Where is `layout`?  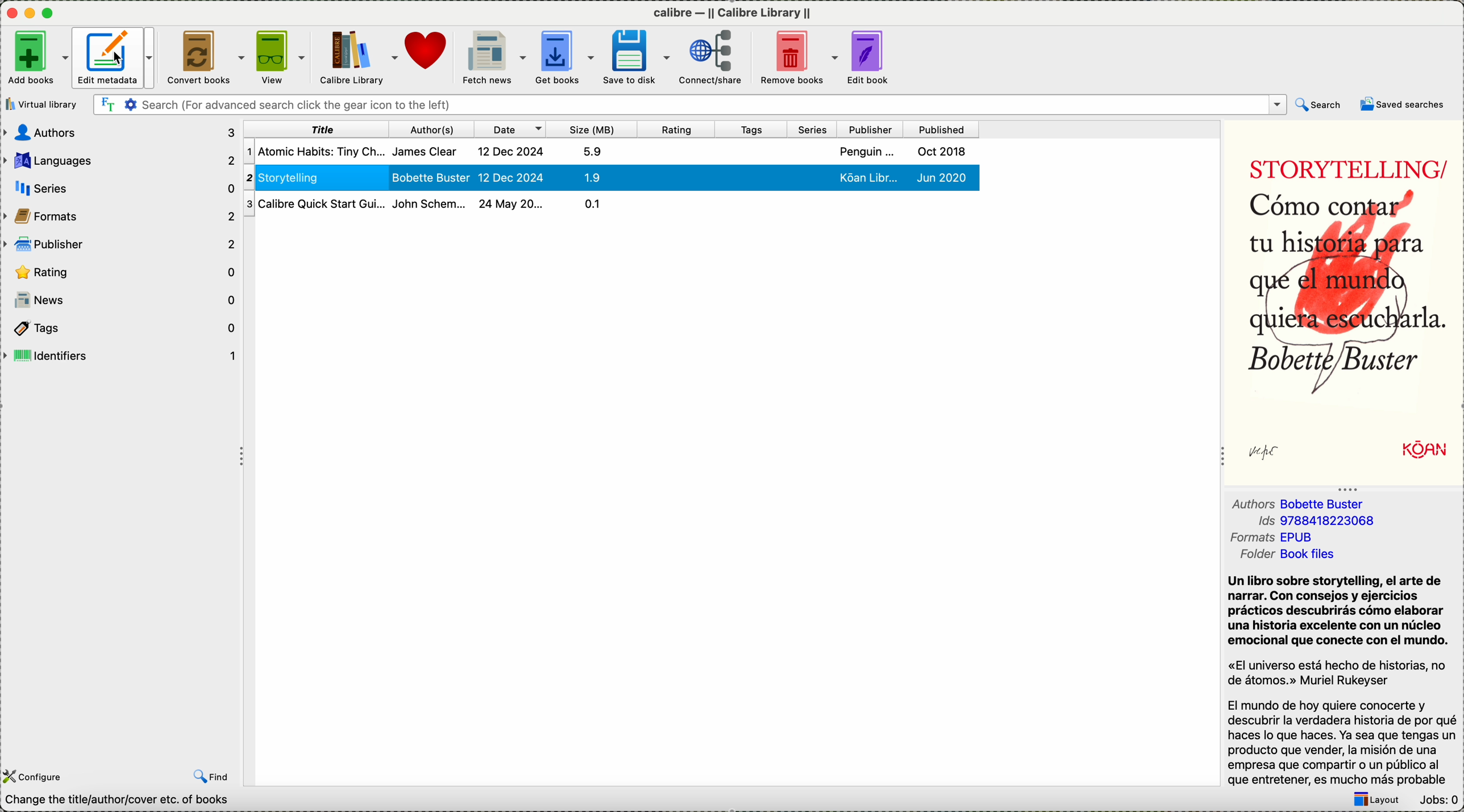 layout is located at coordinates (1373, 799).